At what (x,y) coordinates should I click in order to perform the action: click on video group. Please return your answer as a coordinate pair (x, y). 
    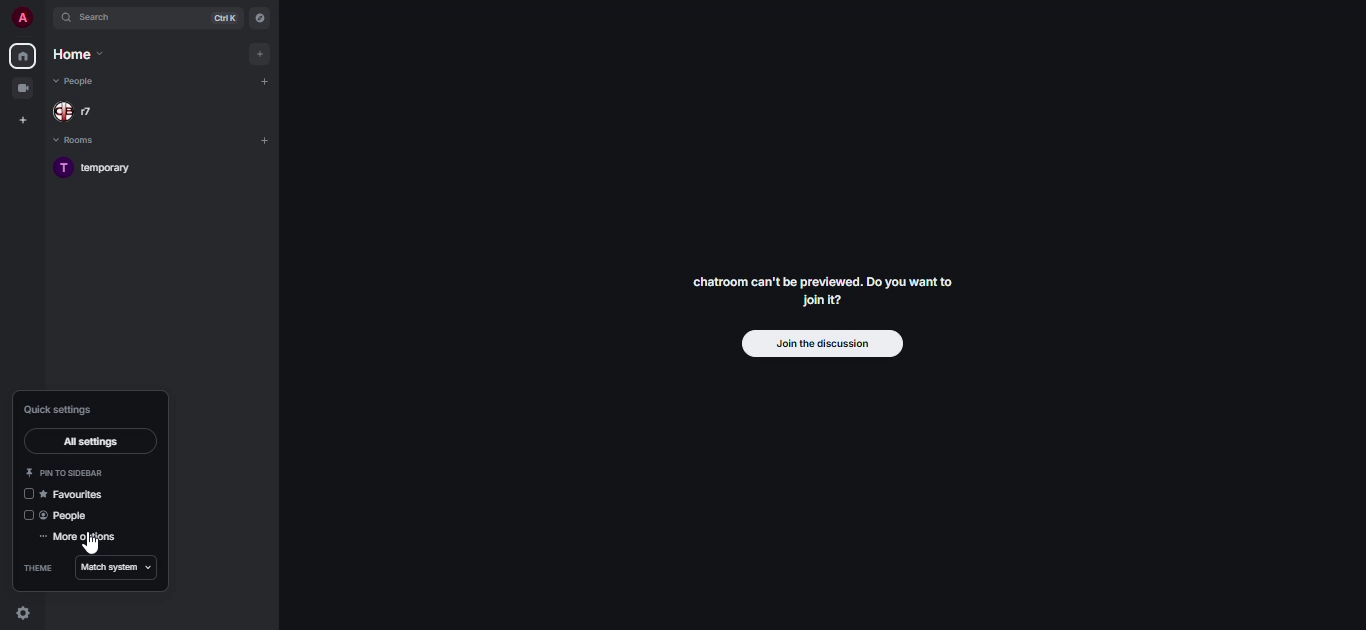
    Looking at the image, I should click on (22, 88).